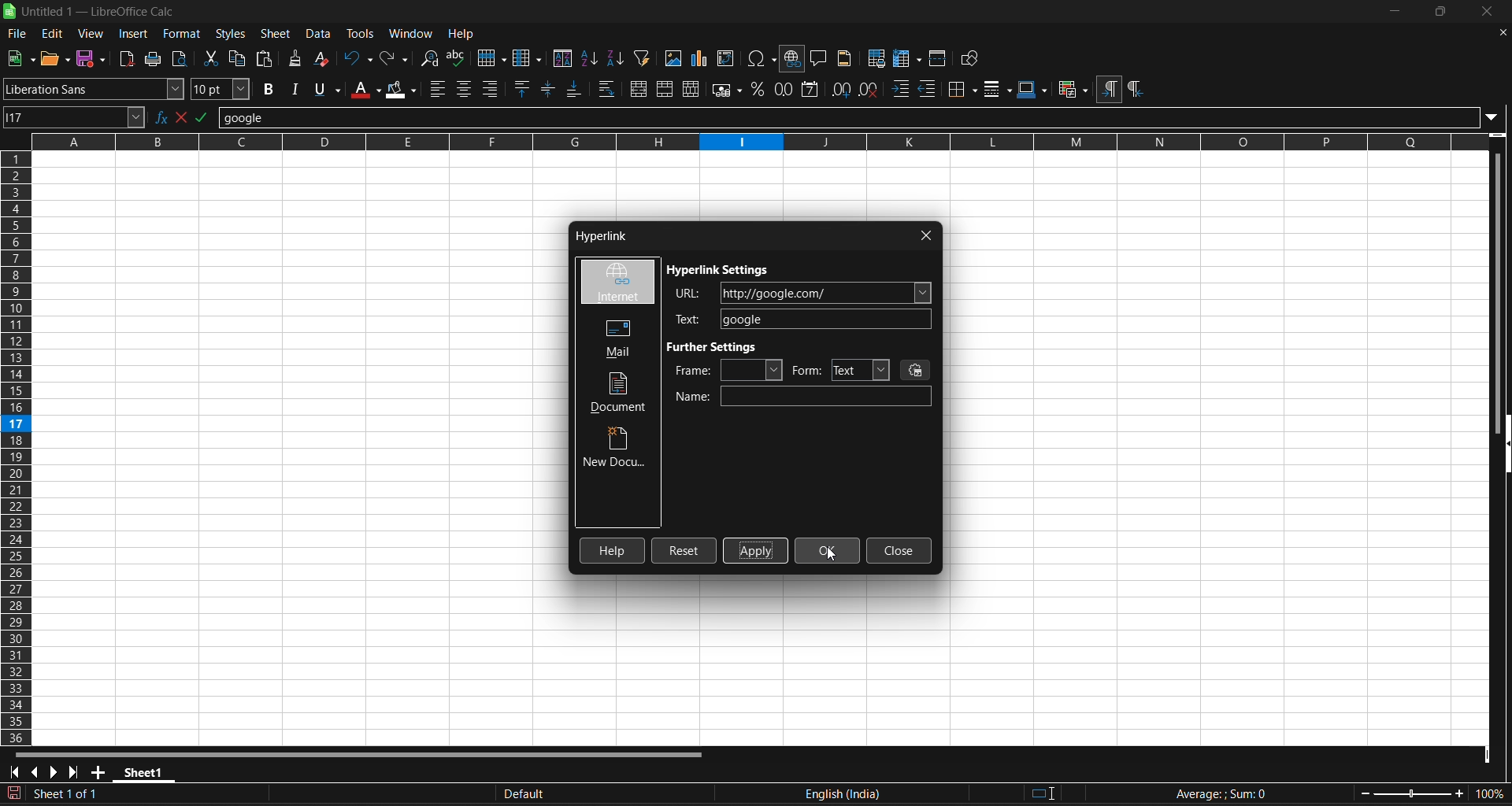 Image resolution: width=1512 pixels, height=806 pixels. Describe the element at coordinates (1396, 11) in the screenshot. I see `minimize` at that location.